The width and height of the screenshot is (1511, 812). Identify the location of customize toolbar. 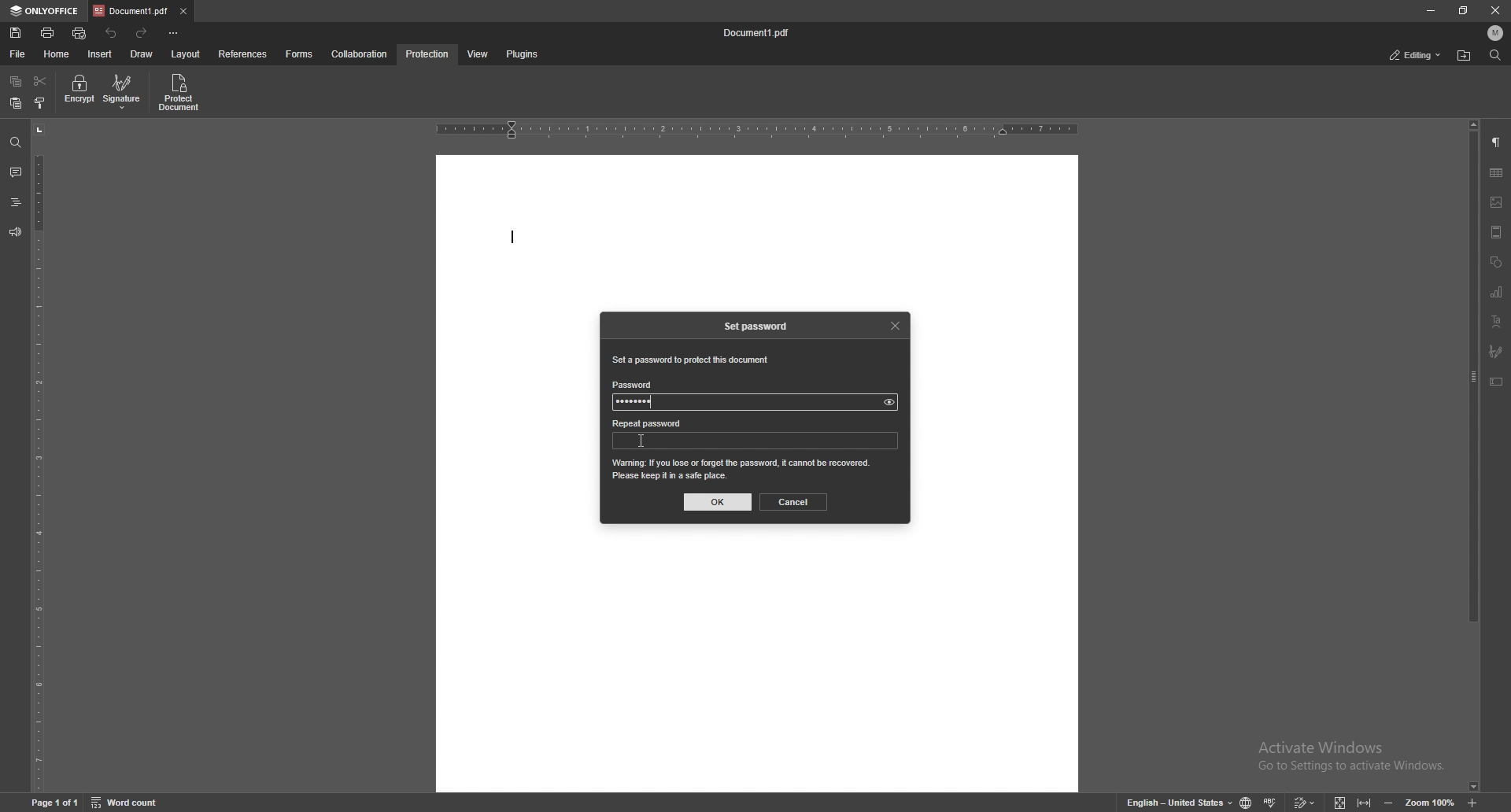
(172, 34).